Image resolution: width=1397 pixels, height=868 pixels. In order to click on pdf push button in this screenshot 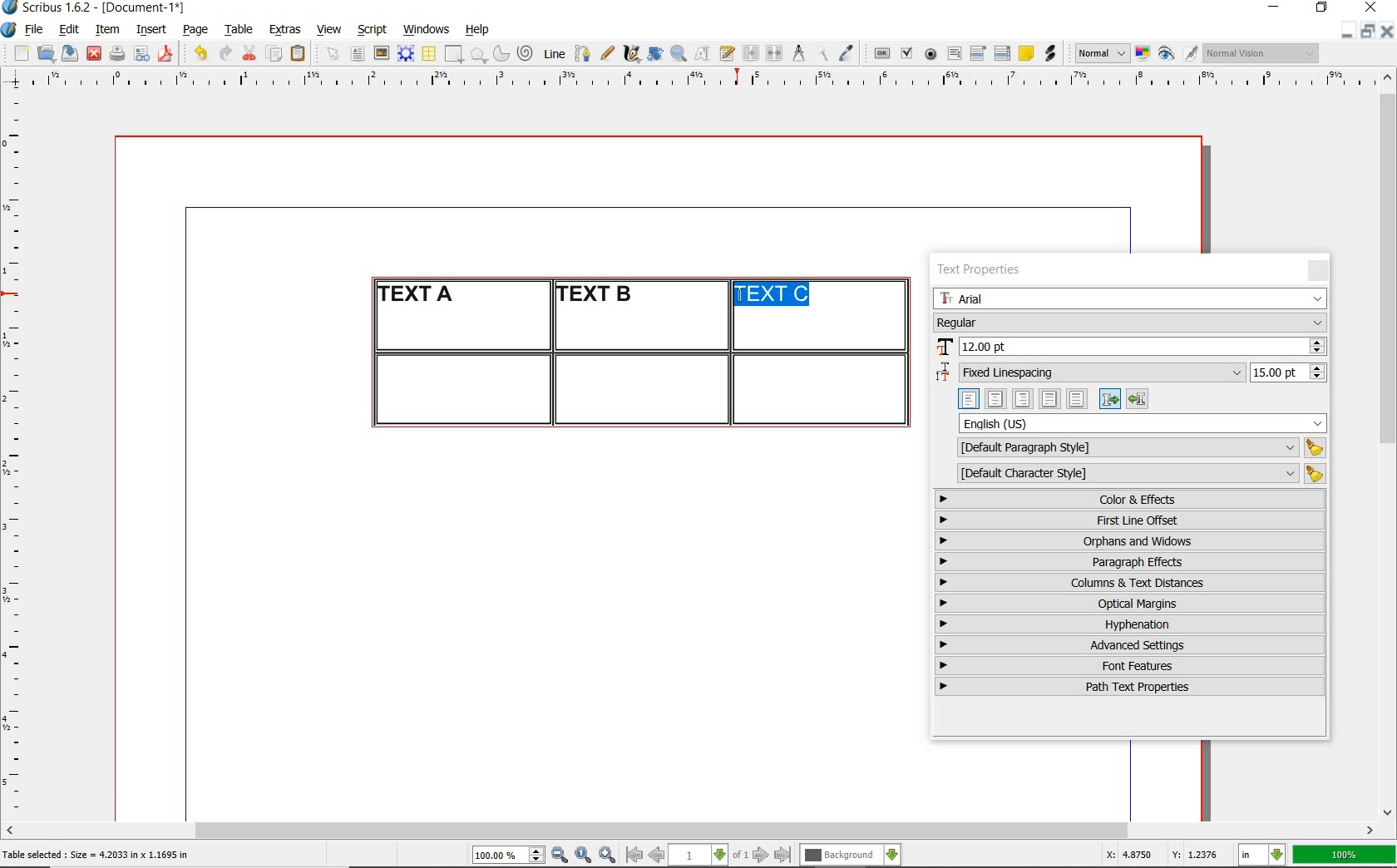, I will do `click(882, 54)`.